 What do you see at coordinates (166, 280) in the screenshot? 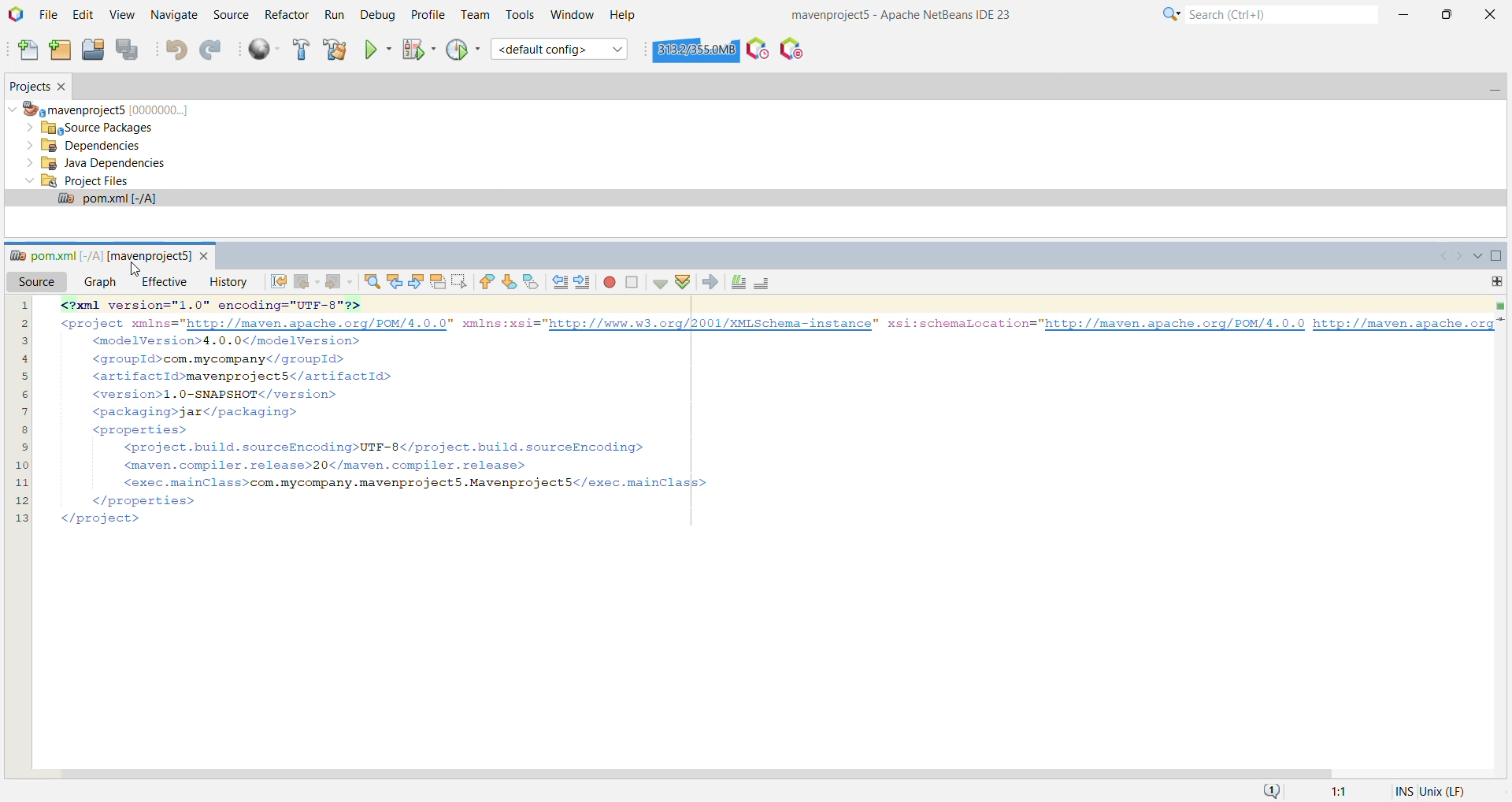
I see `Effective` at bounding box center [166, 280].